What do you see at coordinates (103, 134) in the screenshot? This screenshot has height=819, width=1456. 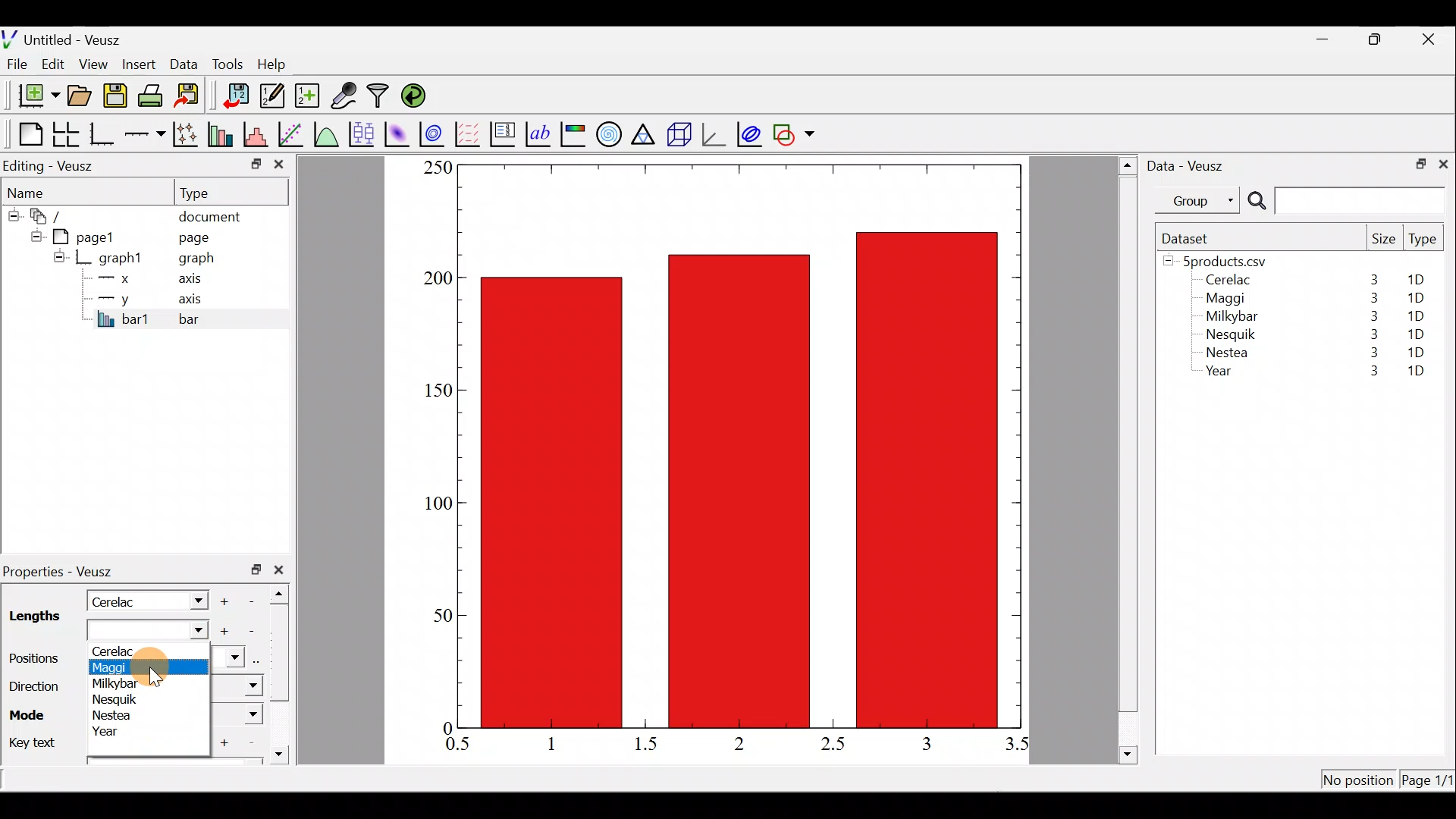 I see `Base graph` at bounding box center [103, 134].